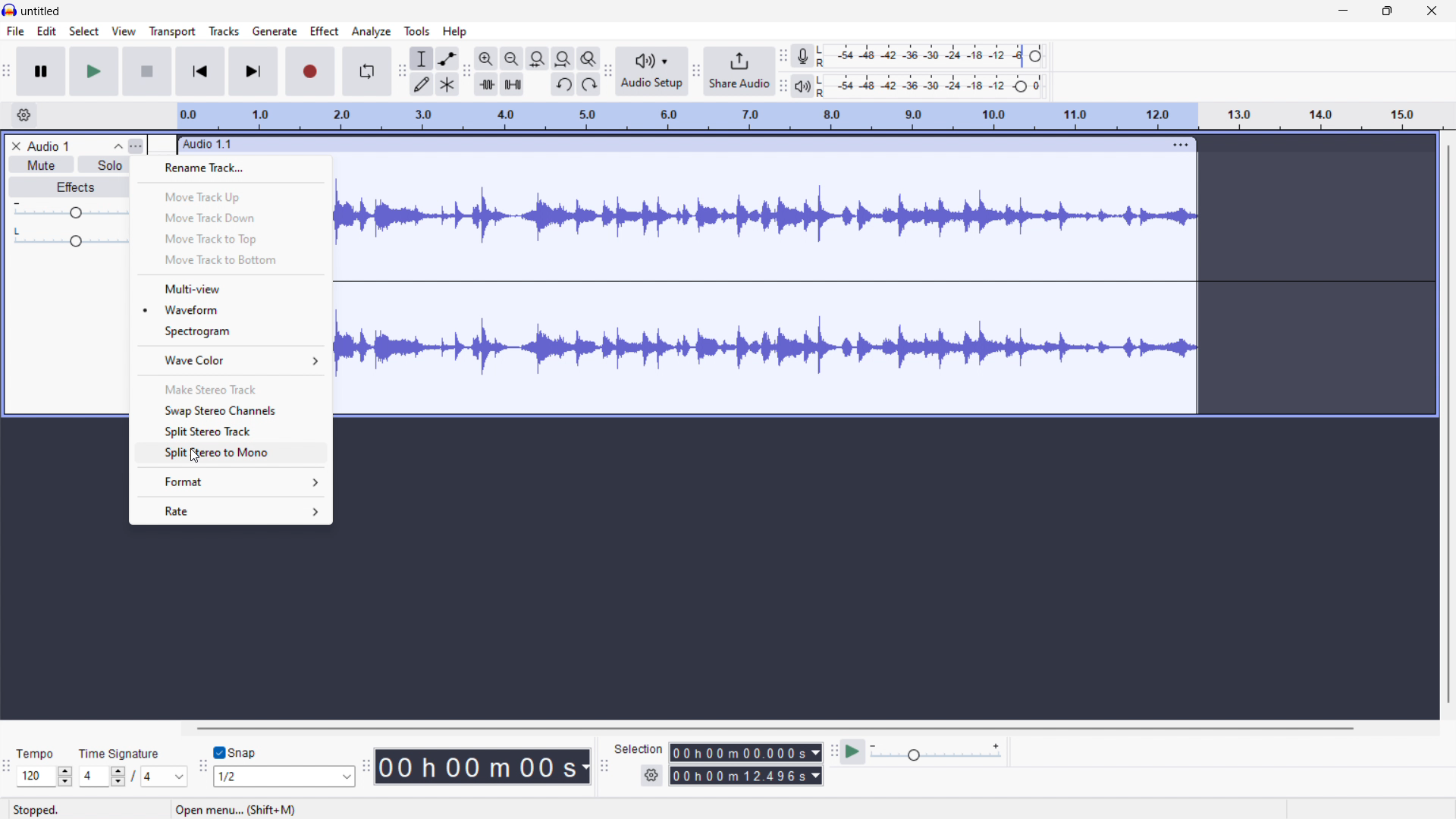  What do you see at coordinates (231, 453) in the screenshot?
I see `split stereo to mono` at bounding box center [231, 453].